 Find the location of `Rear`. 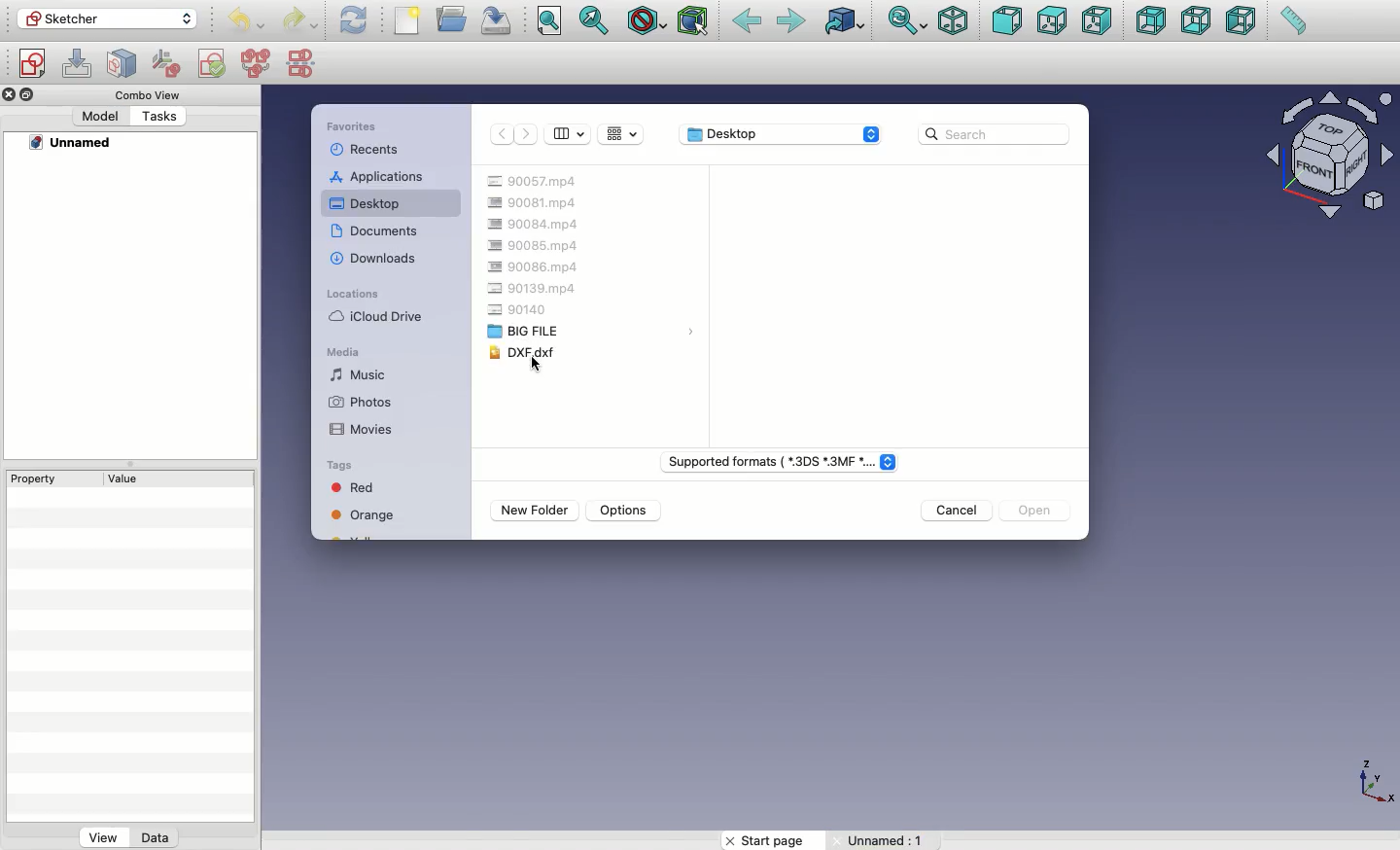

Rear is located at coordinates (1150, 20).